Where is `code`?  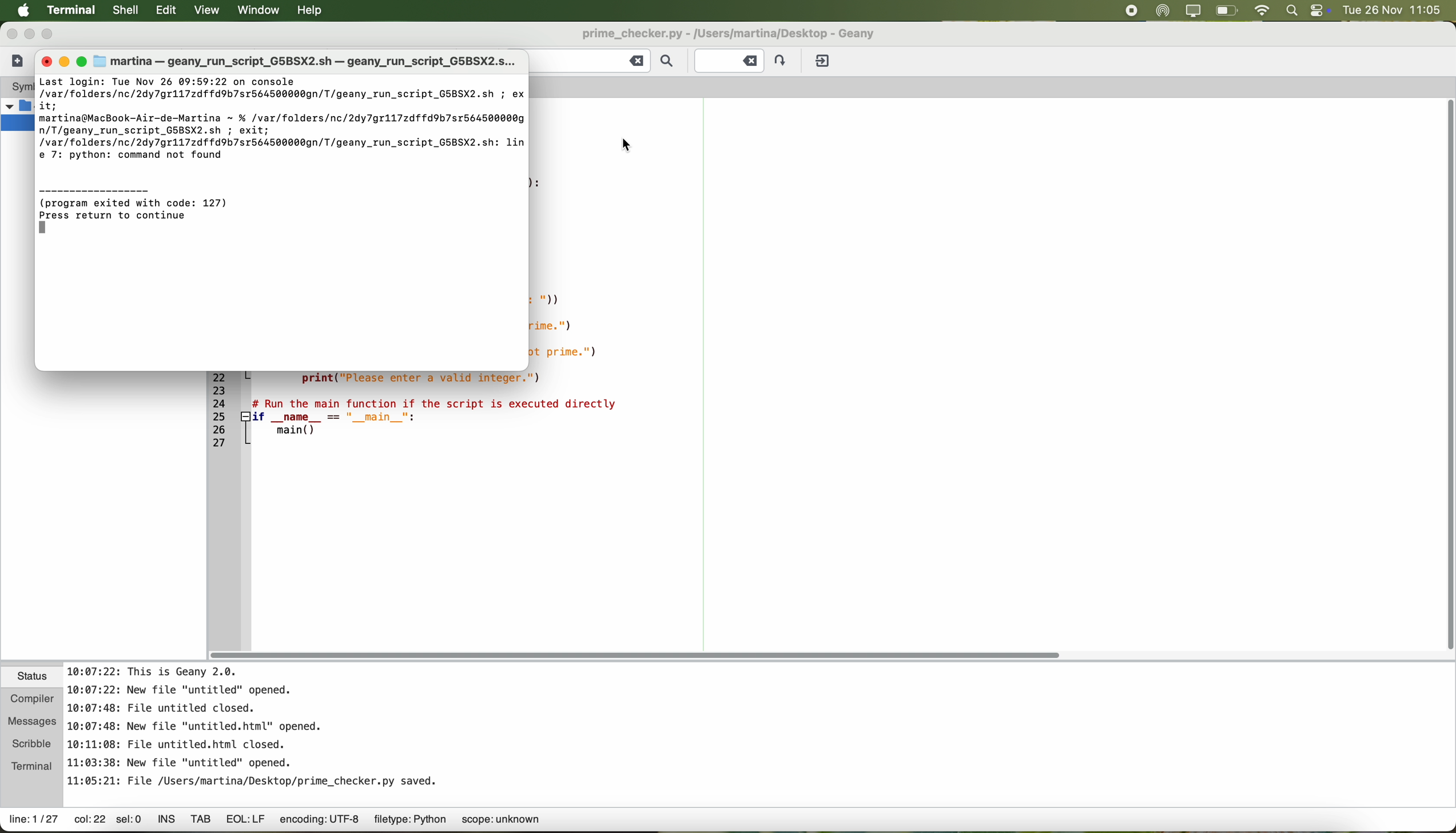 code is located at coordinates (565, 324).